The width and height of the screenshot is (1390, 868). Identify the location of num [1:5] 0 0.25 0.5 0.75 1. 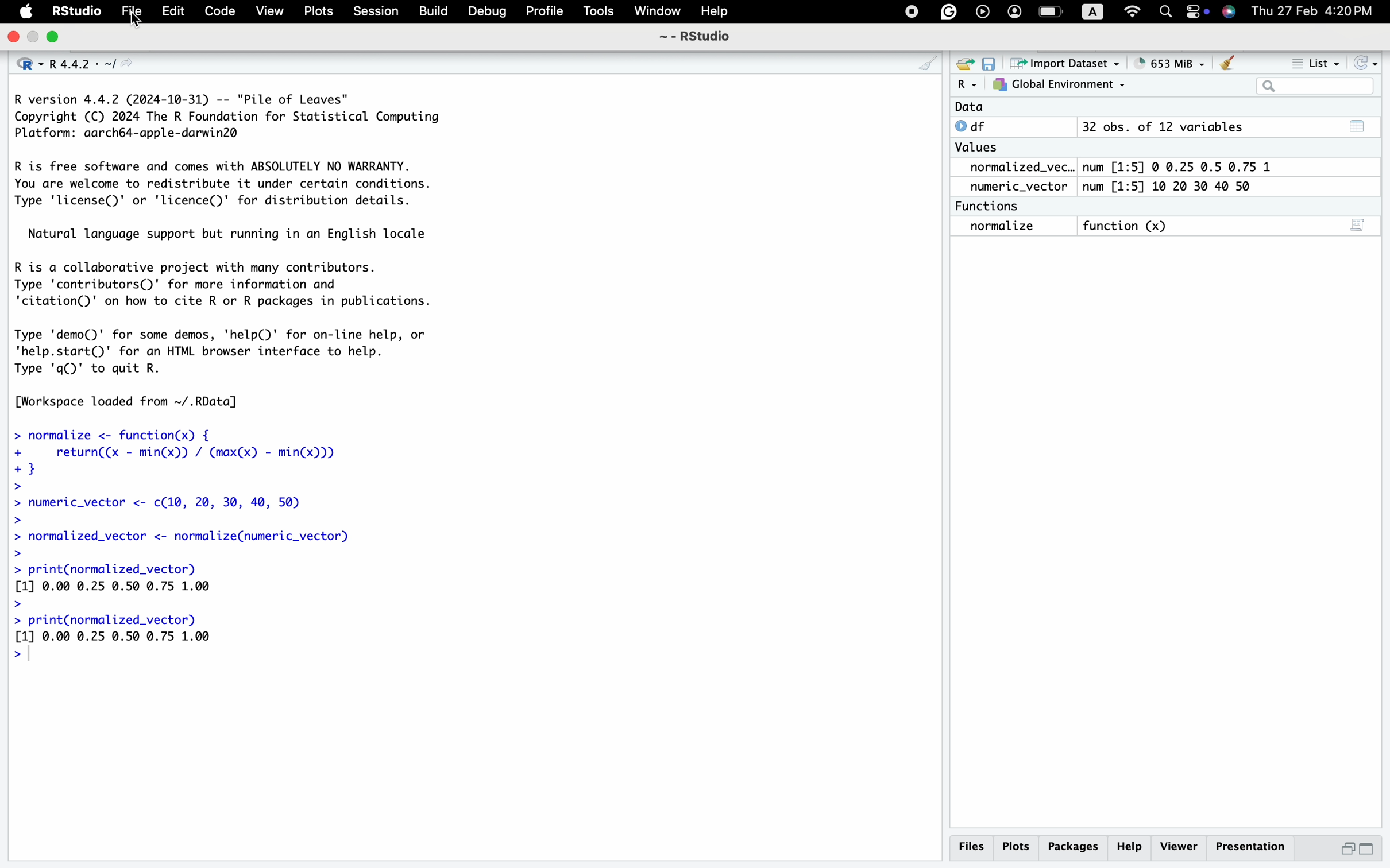
(1180, 167).